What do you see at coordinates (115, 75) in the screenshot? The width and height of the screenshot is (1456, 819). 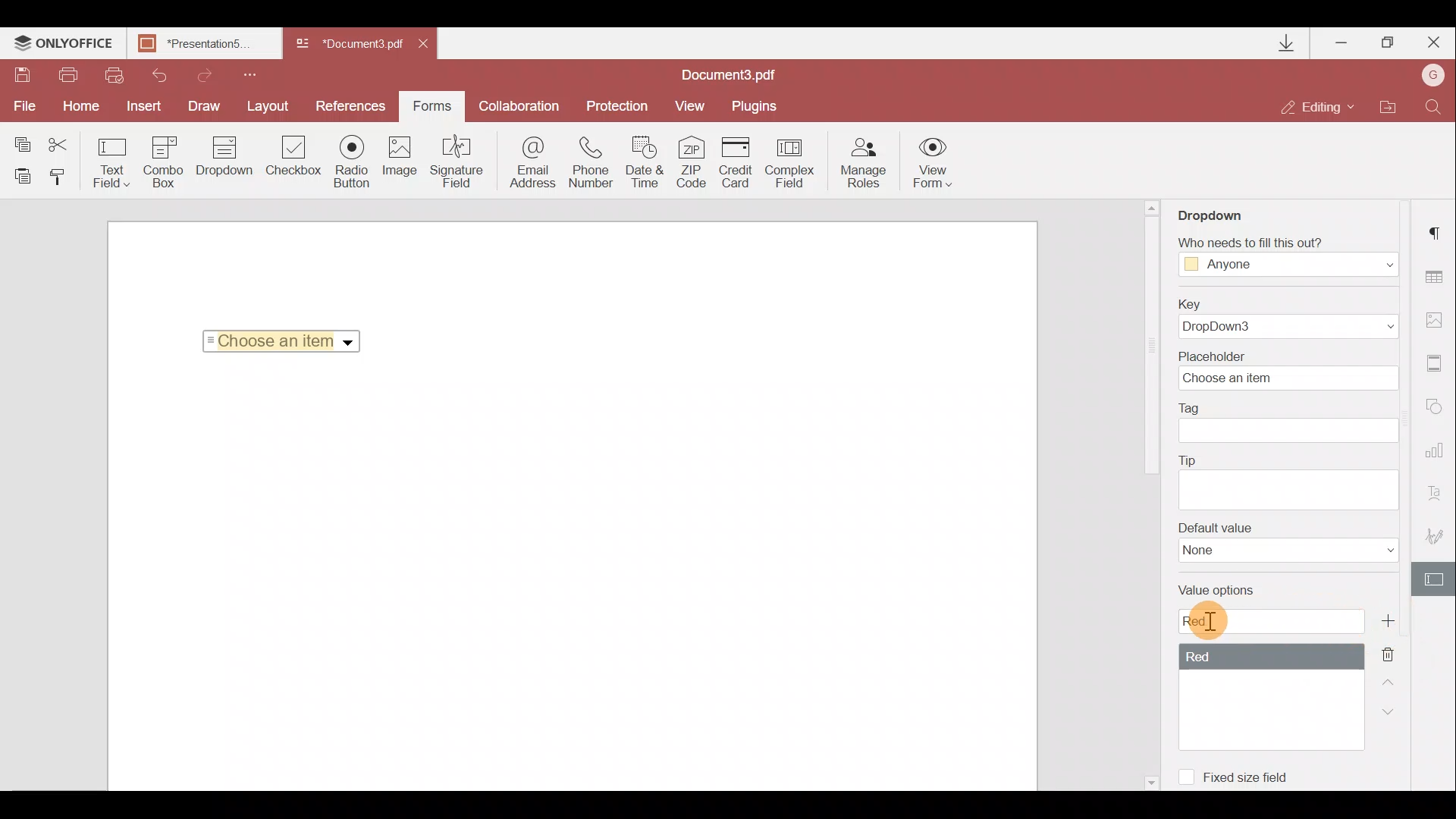 I see `Quick print` at bounding box center [115, 75].